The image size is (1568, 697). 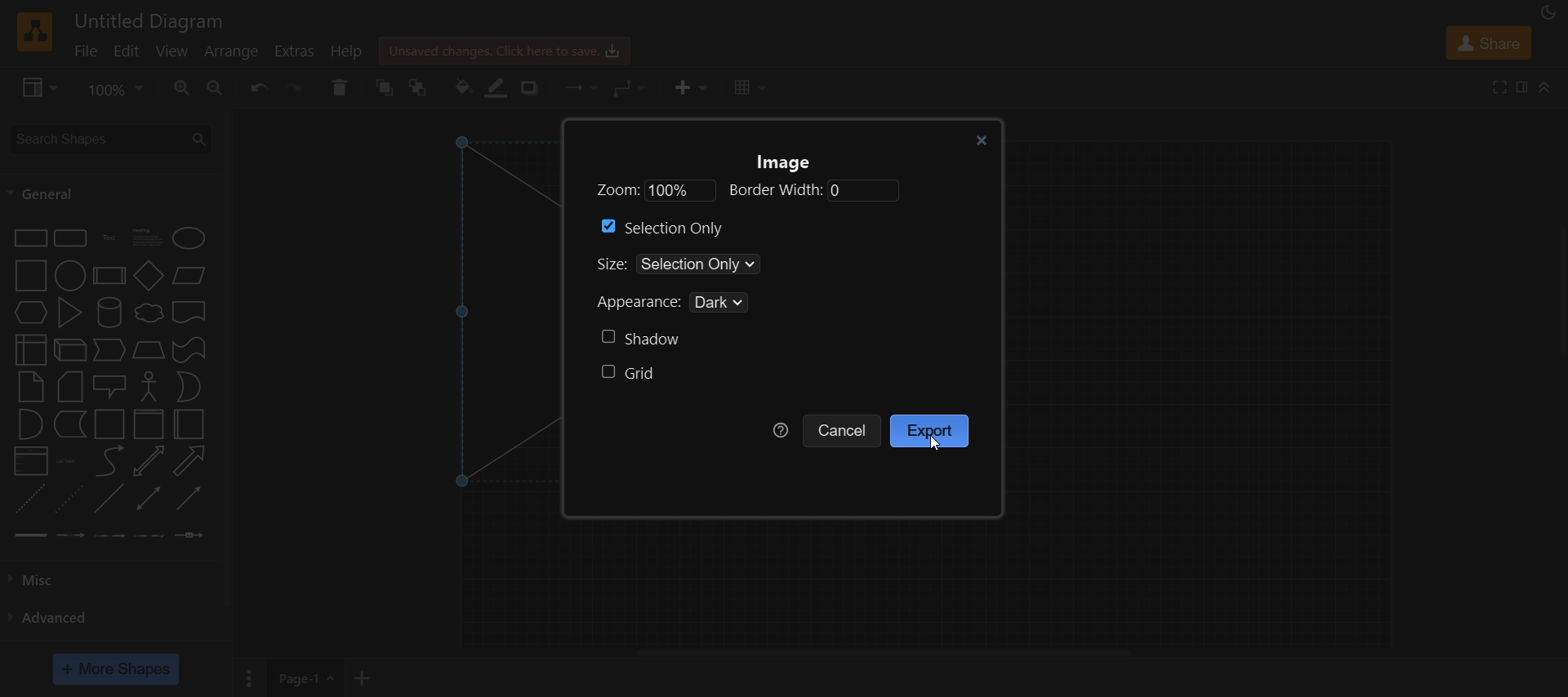 What do you see at coordinates (936, 444) in the screenshot?
I see `cursor` at bounding box center [936, 444].